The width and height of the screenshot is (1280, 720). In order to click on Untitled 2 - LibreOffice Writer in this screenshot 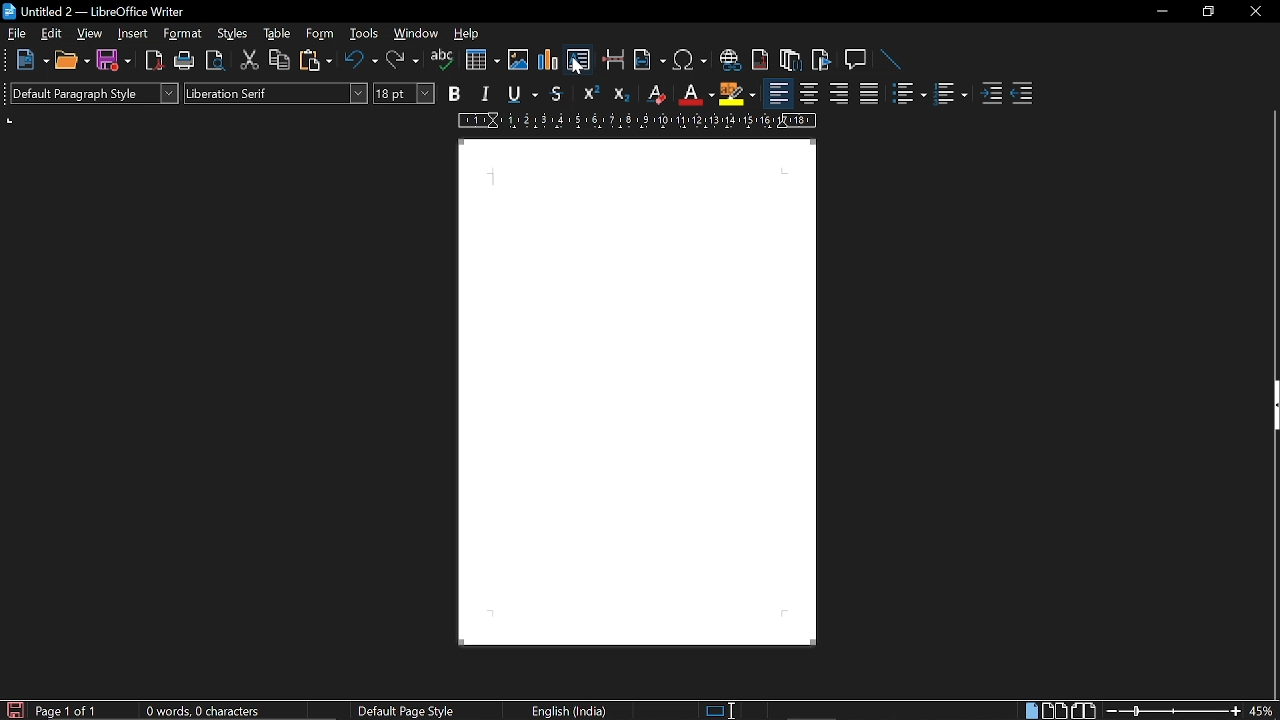, I will do `click(100, 13)`.